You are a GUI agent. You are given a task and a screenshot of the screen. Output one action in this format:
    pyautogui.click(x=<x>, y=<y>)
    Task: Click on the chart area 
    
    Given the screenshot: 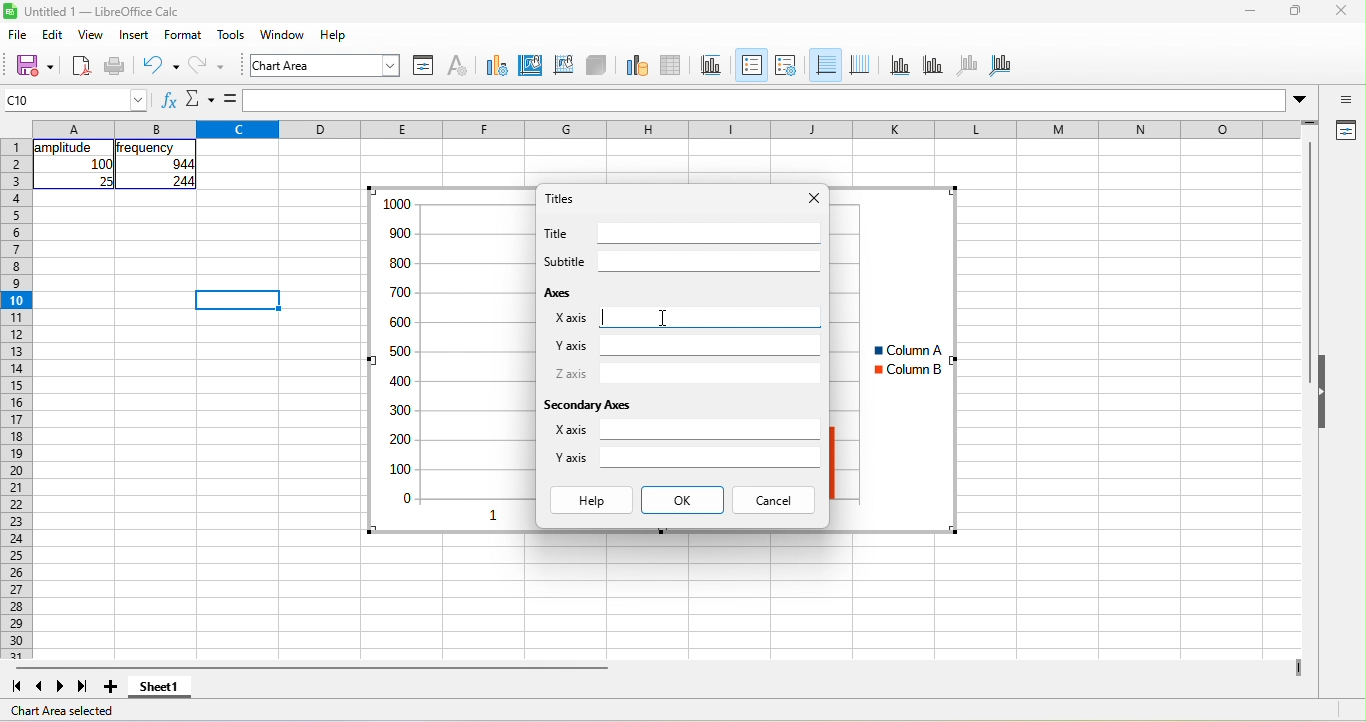 What is the action you would take?
    pyautogui.click(x=531, y=66)
    